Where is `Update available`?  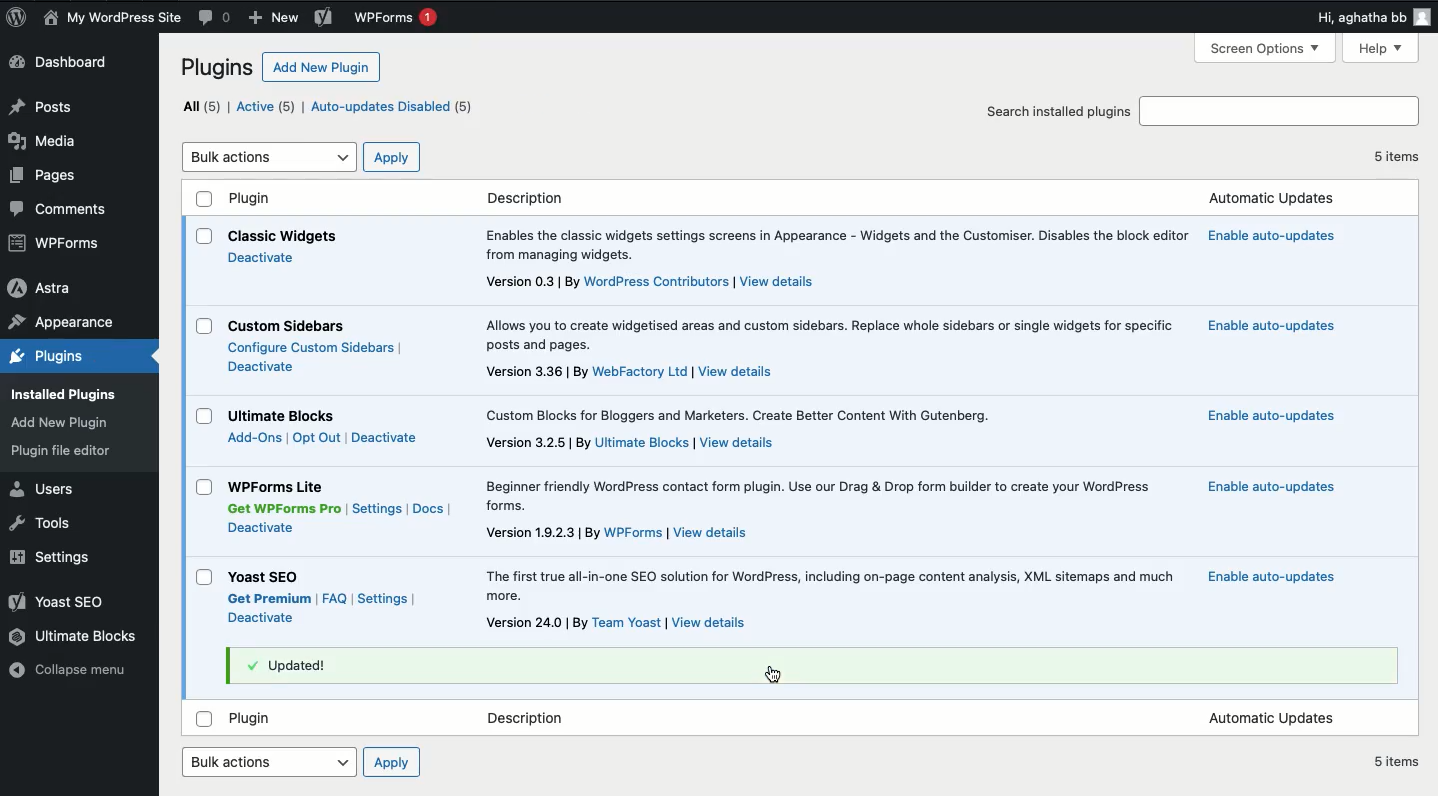 Update available is located at coordinates (371, 107).